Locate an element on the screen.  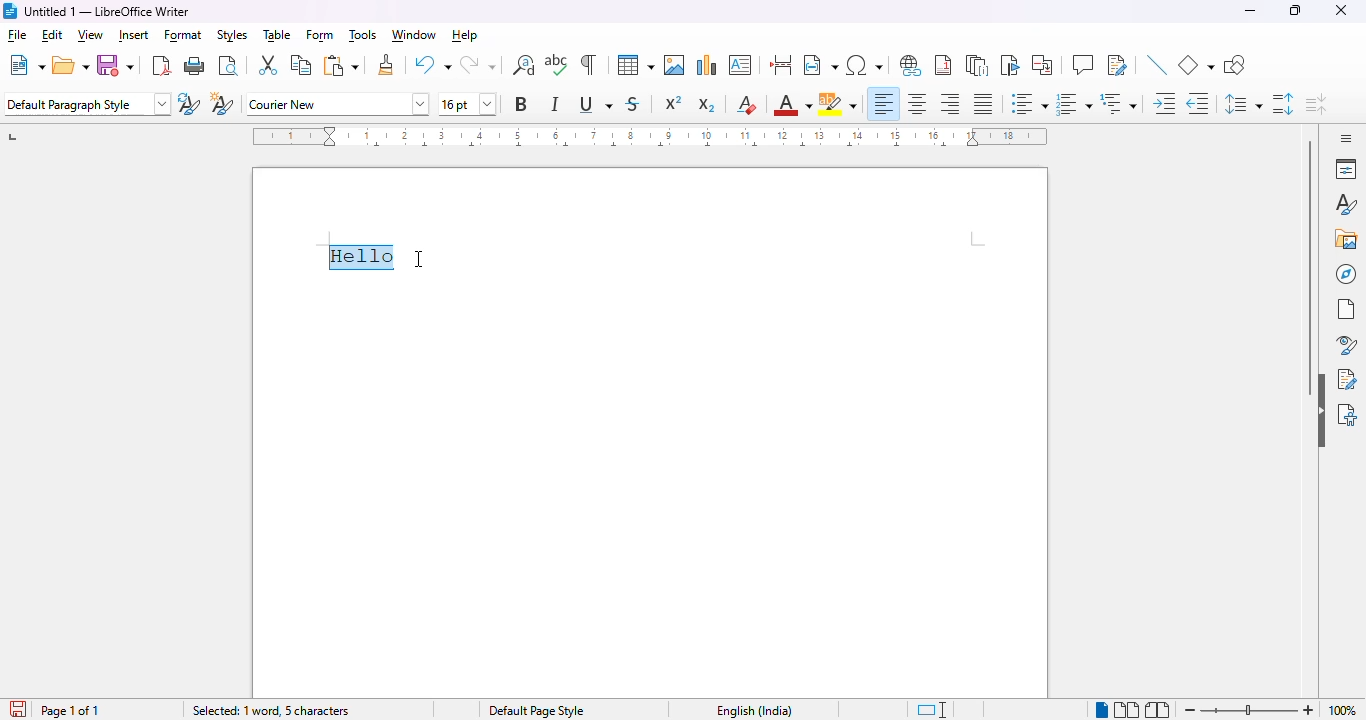
hello is located at coordinates (363, 257).